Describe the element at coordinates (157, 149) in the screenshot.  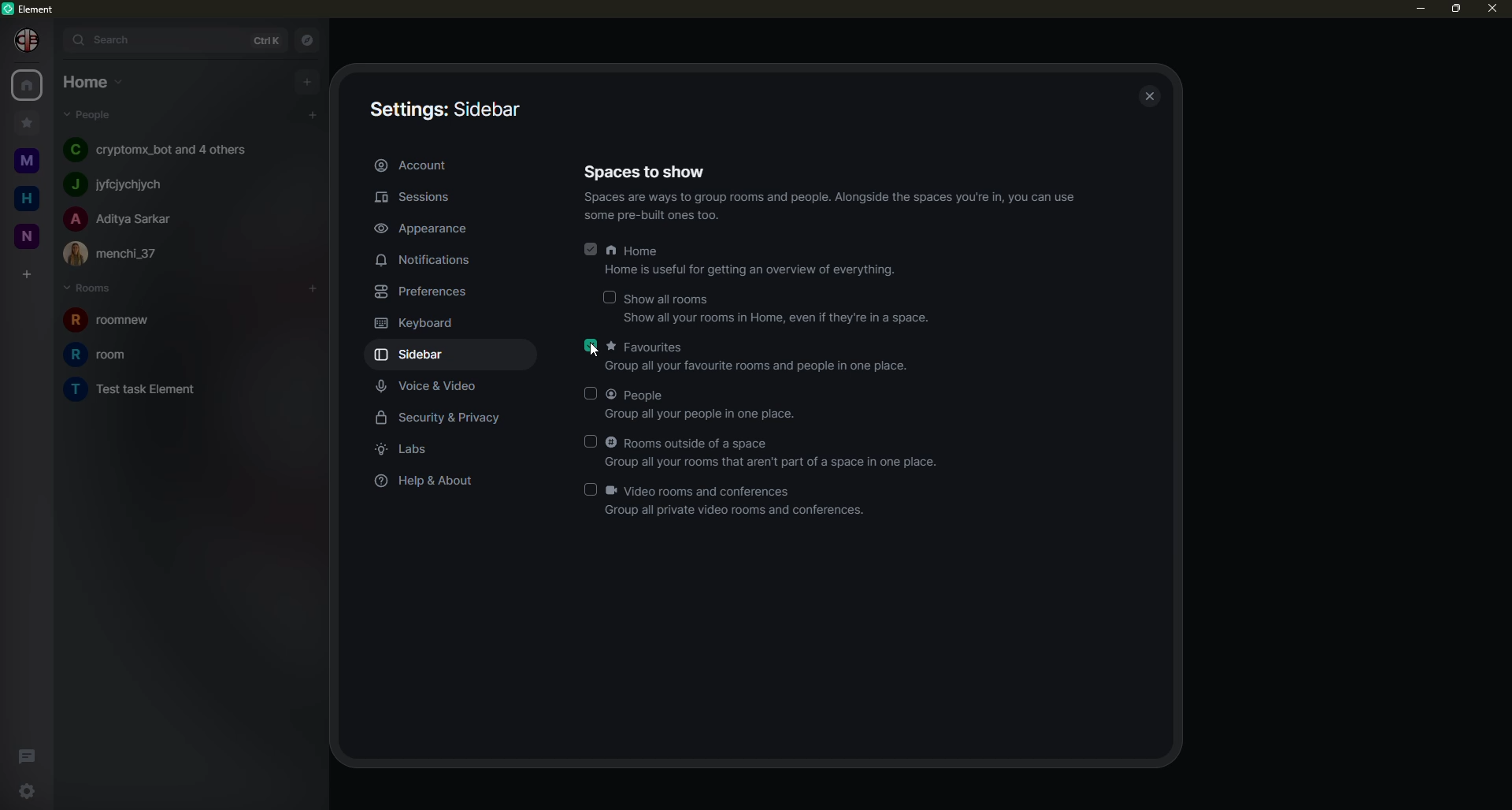
I see `people` at that location.